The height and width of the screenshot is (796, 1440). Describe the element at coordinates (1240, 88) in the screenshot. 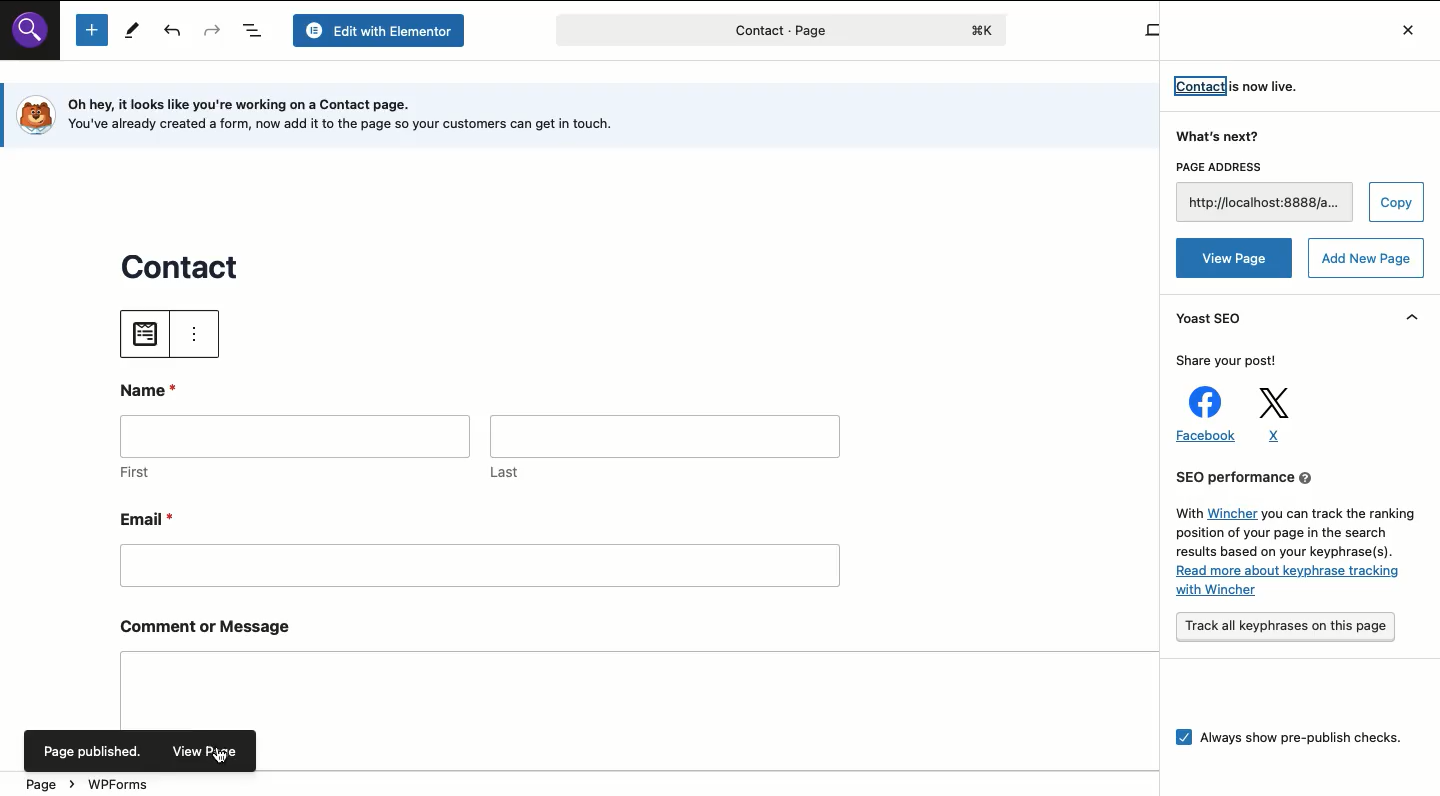

I see `Contact is now live` at that location.